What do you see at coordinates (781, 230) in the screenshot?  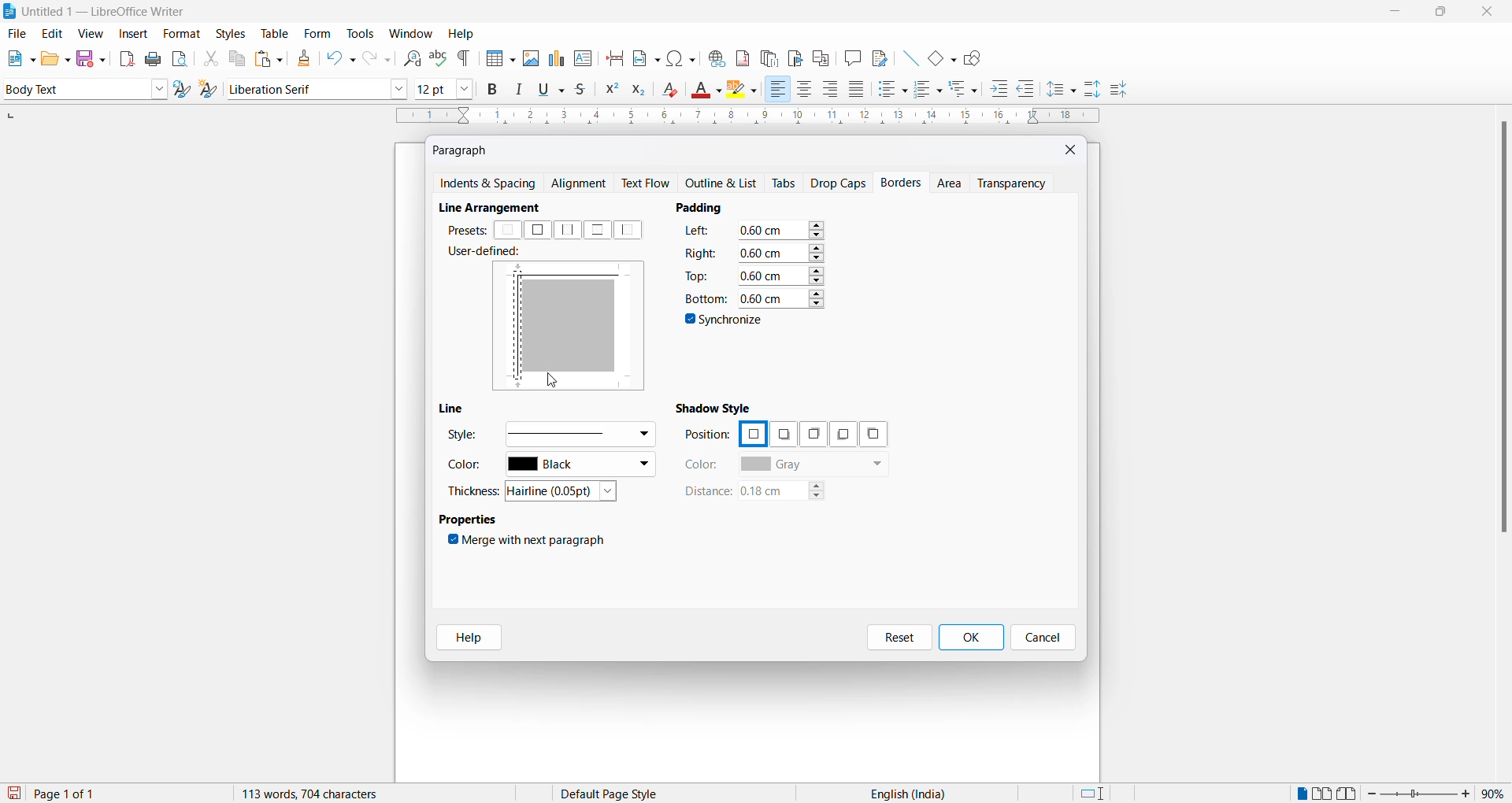 I see `value` at bounding box center [781, 230].